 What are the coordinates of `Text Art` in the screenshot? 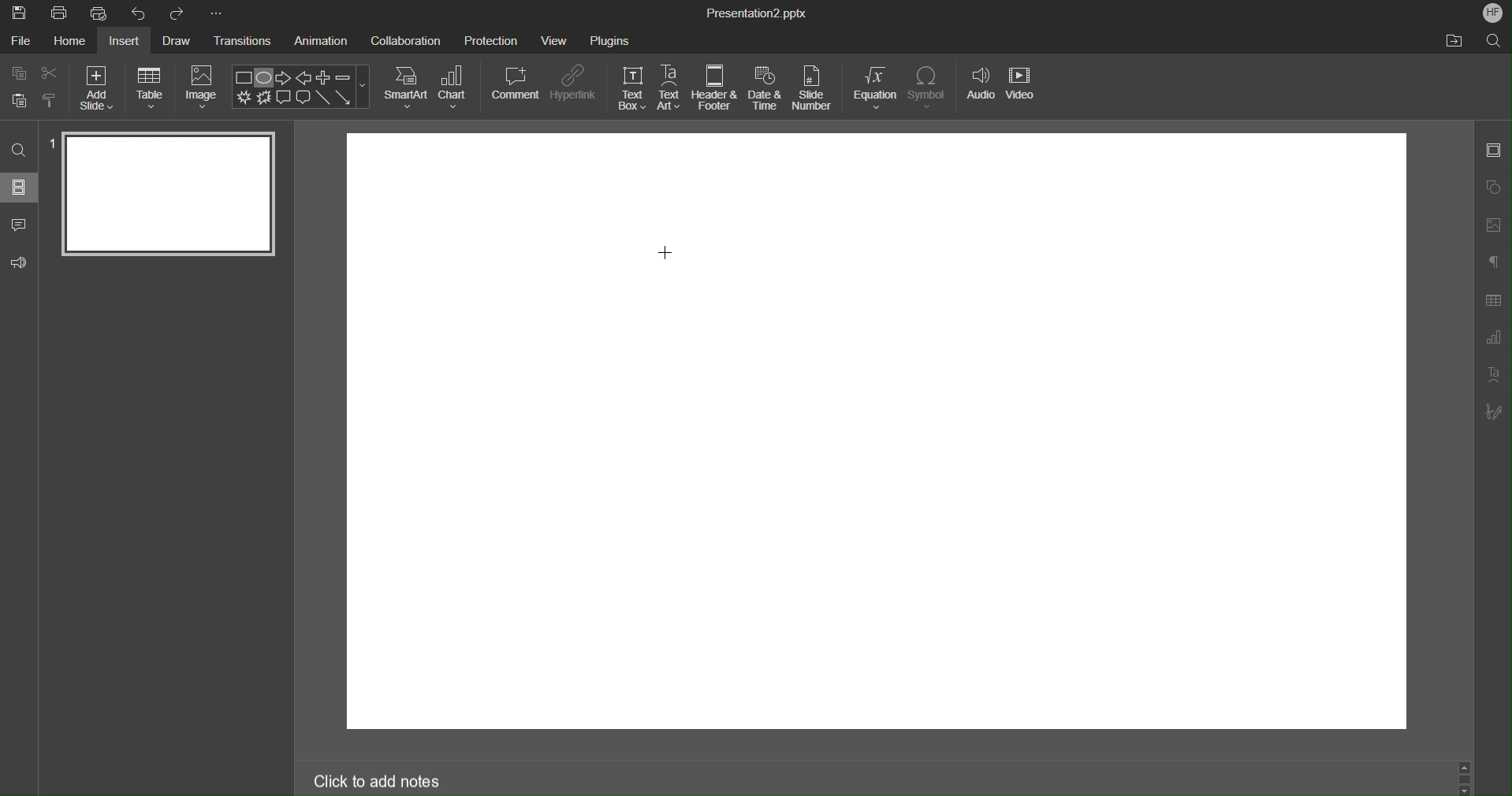 It's located at (670, 88).